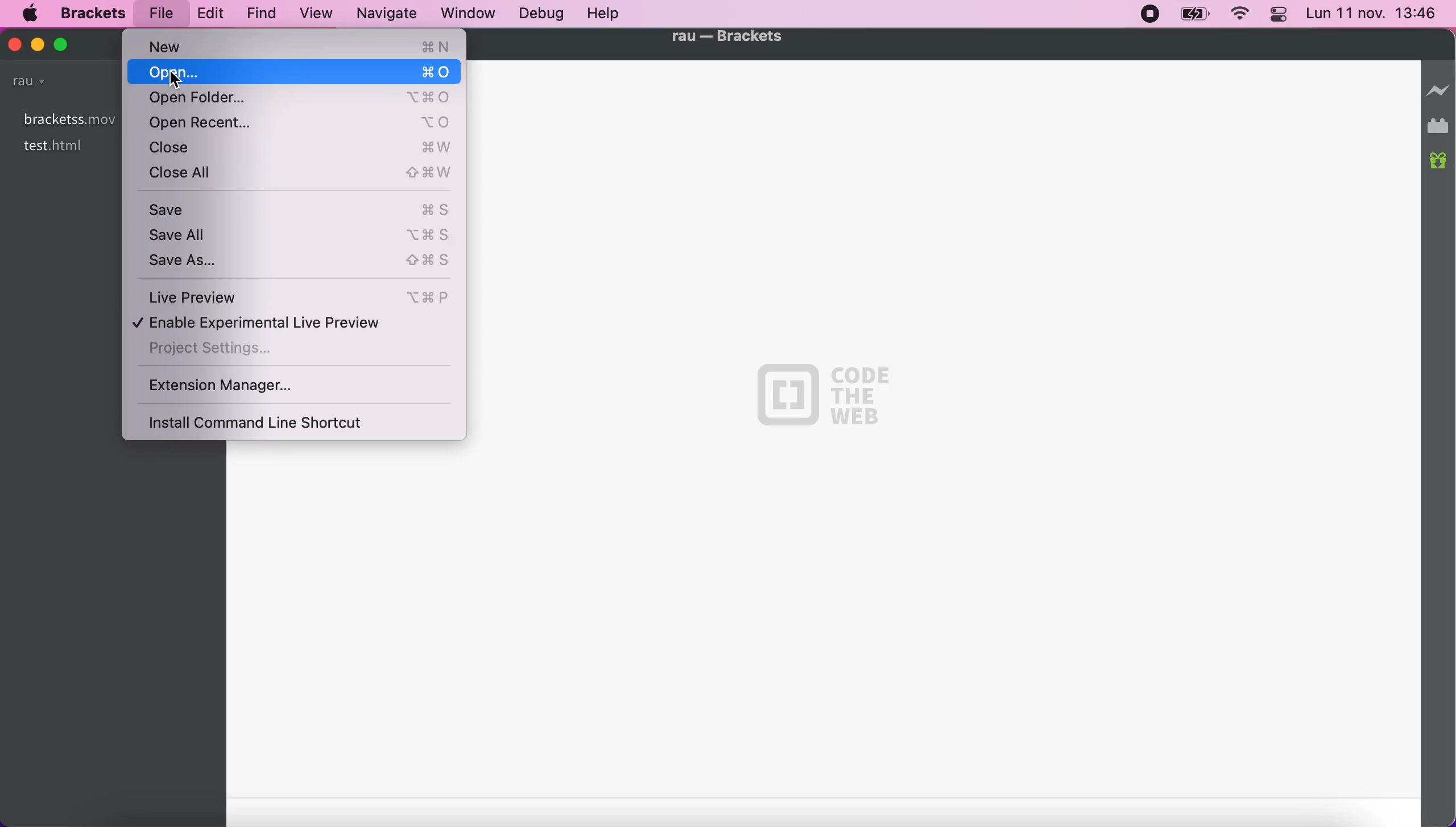 This screenshot has width=1456, height=827. What do you see at coordinates (31, 15) in the screenshot?
I see `mac logo` at bounding box center [31, 15].